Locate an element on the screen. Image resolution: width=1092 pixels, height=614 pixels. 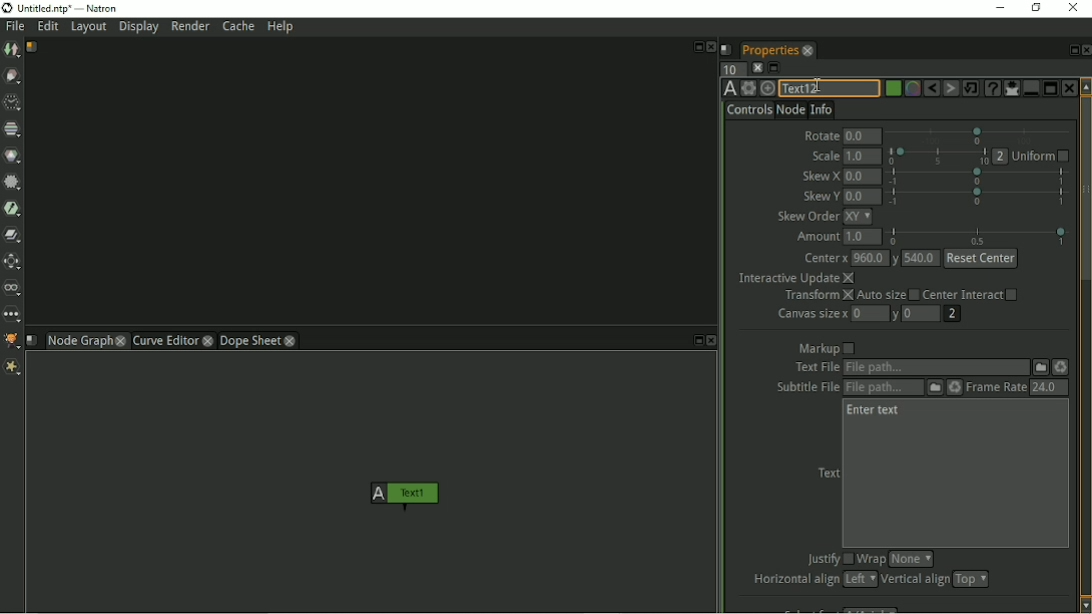
Close is located at coordinates (1085, 50).